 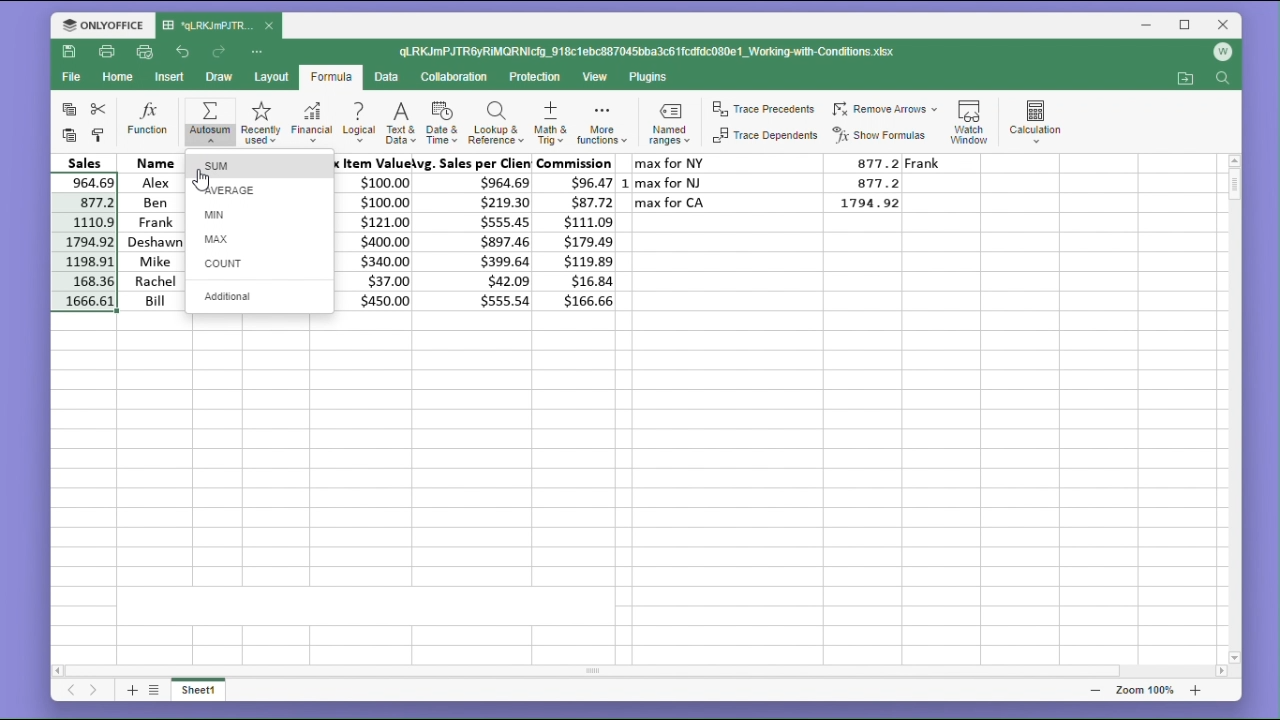 I want to click on math functions, so click(x=601, y=125).